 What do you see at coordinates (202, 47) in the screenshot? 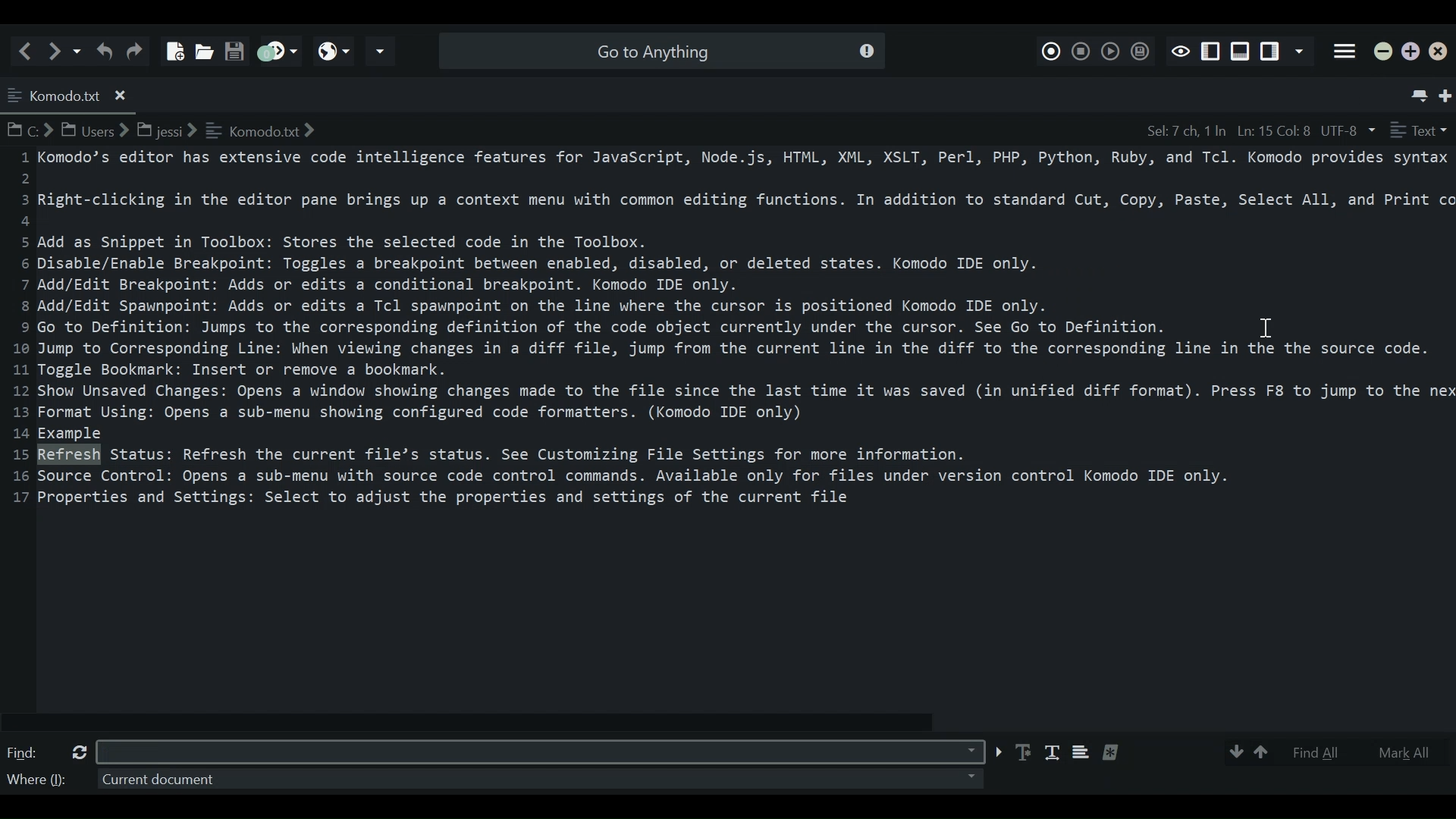
I see `Open` at bounding box center [202, 47].